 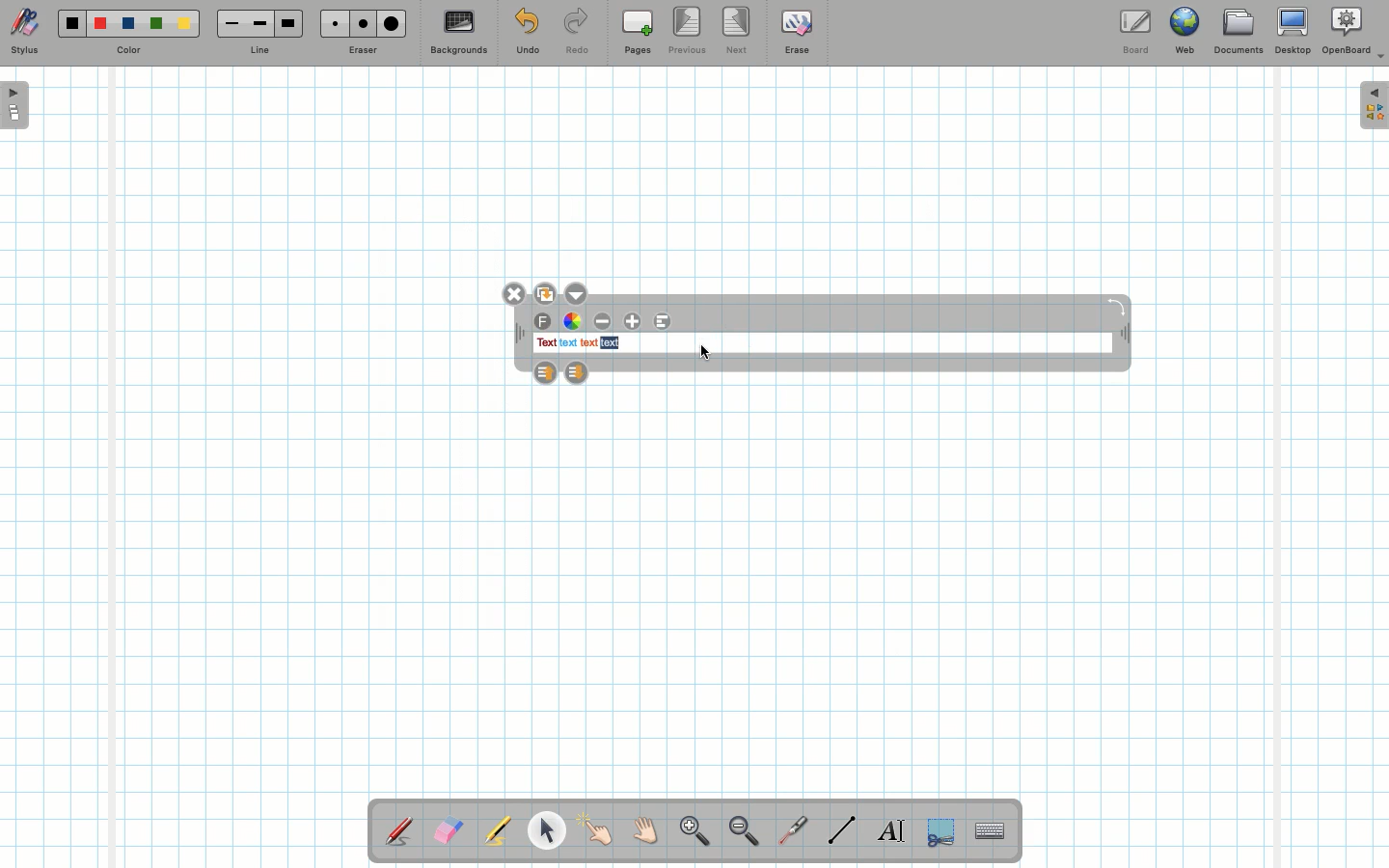 I want to click on Grab, so click(x=646, y=833).